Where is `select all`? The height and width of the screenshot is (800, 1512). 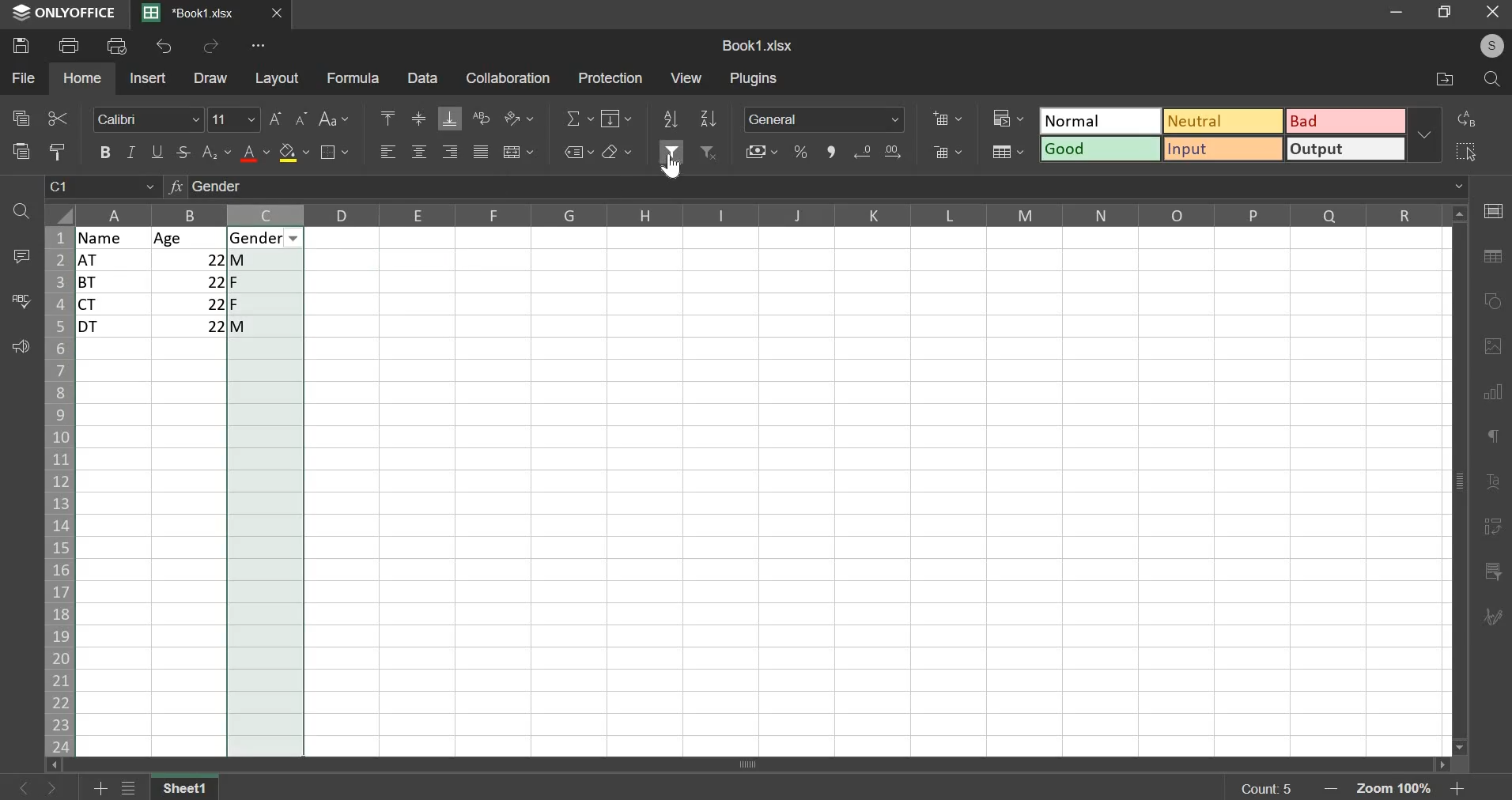 select all is located at coordinates (1469, 148).